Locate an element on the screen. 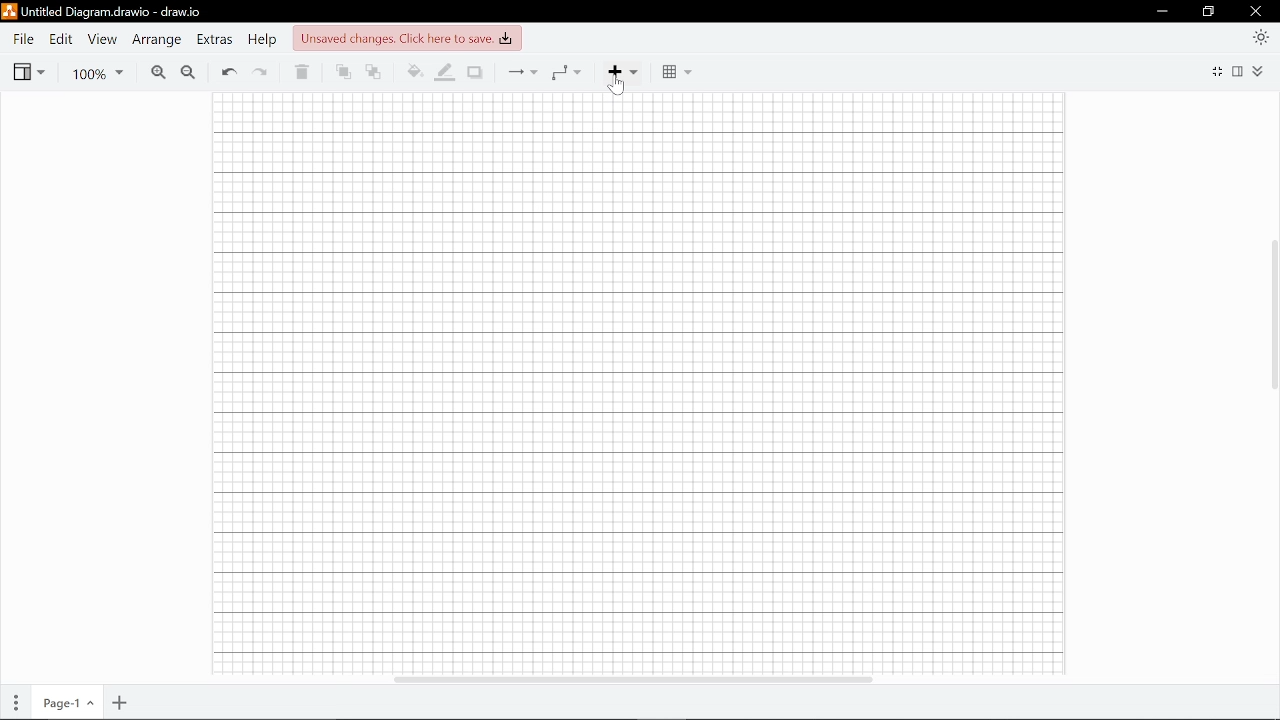  Help is located at coordinates (263, 41).